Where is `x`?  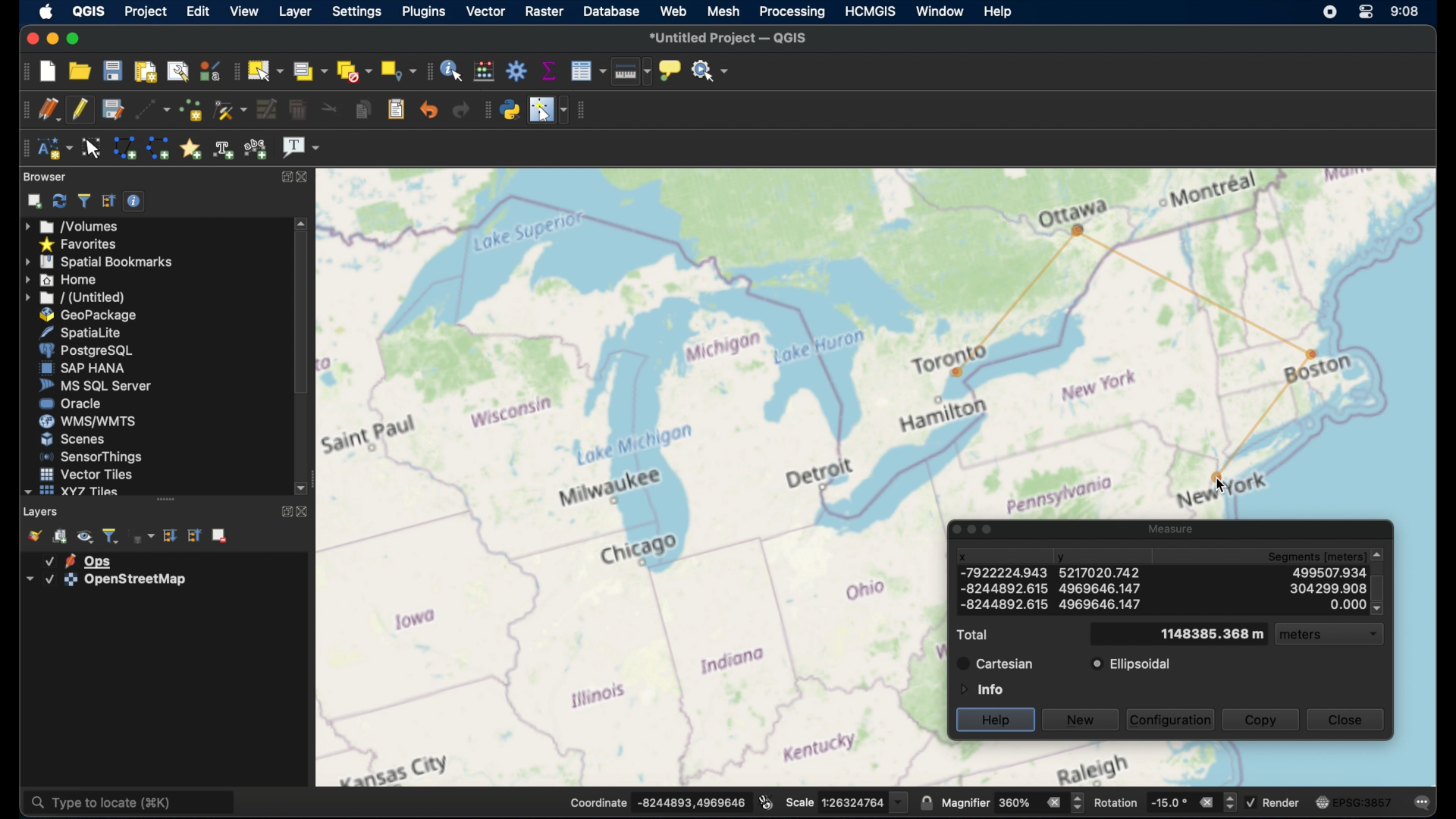
x is located at coordinates (1004, 604).